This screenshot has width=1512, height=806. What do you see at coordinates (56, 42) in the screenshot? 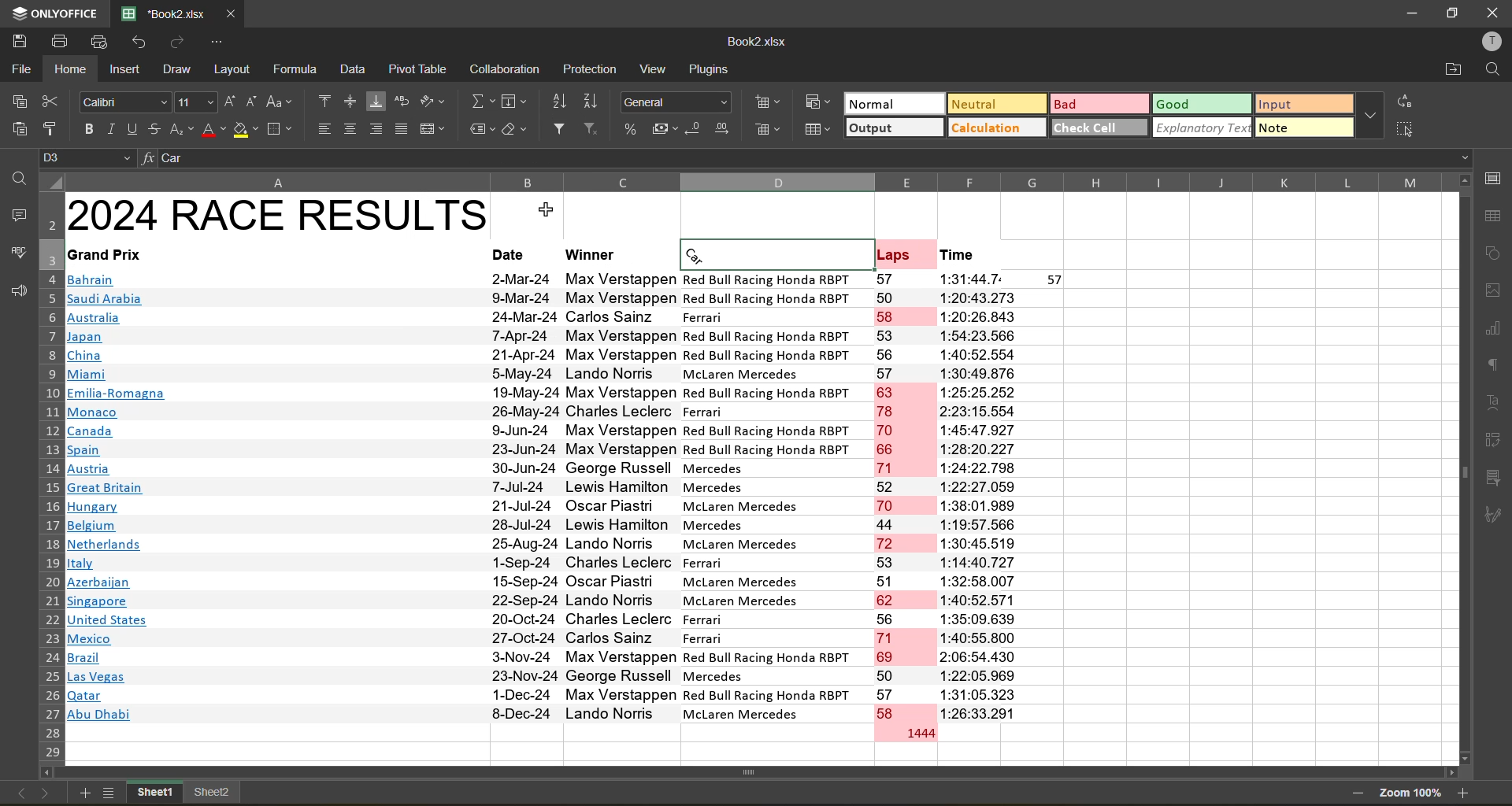
I see `print` at bounding box center [56, 42].